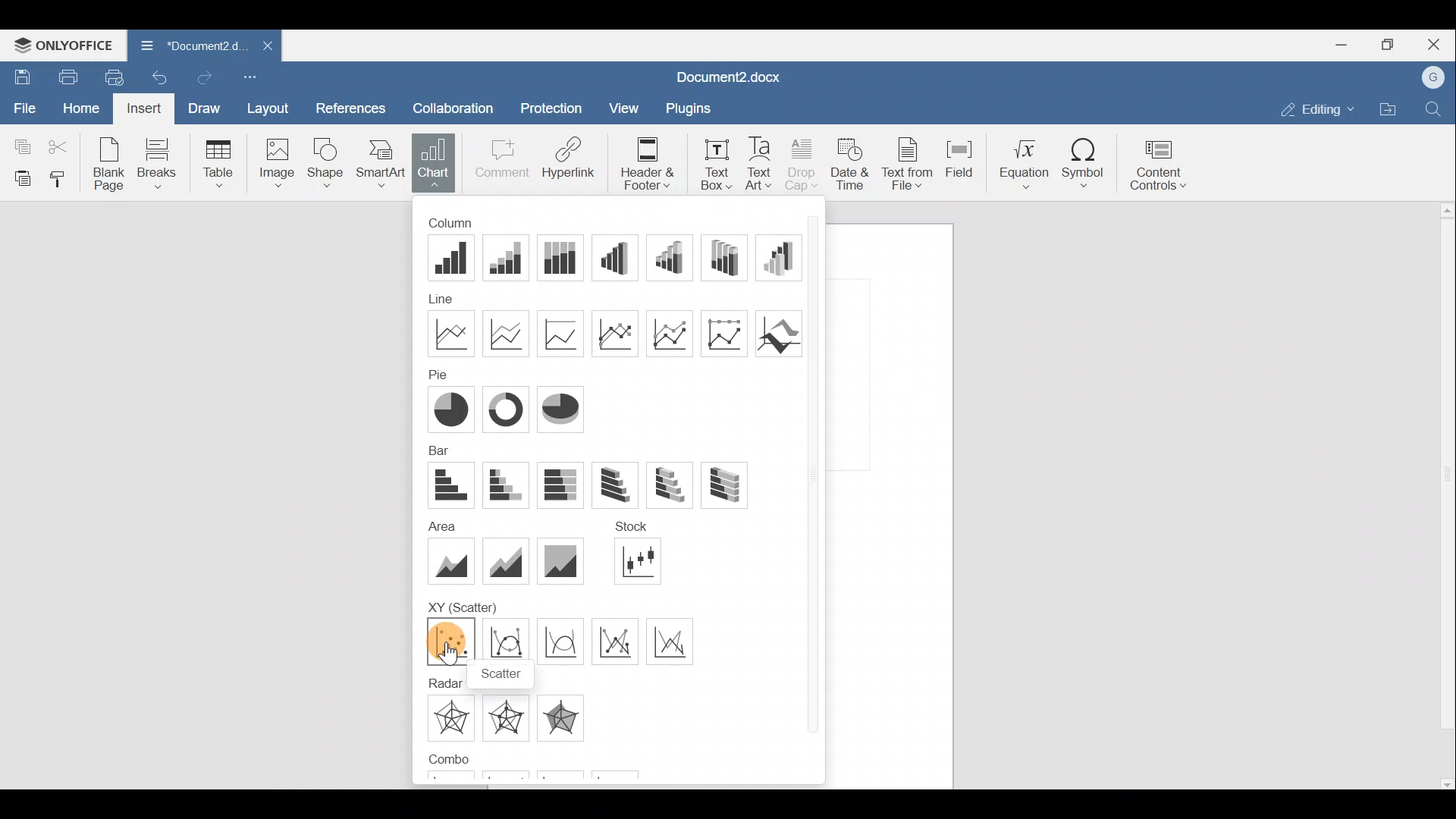 This screenshot has width=1456, height=819. I want to click on Text from file, so click(907, 162).